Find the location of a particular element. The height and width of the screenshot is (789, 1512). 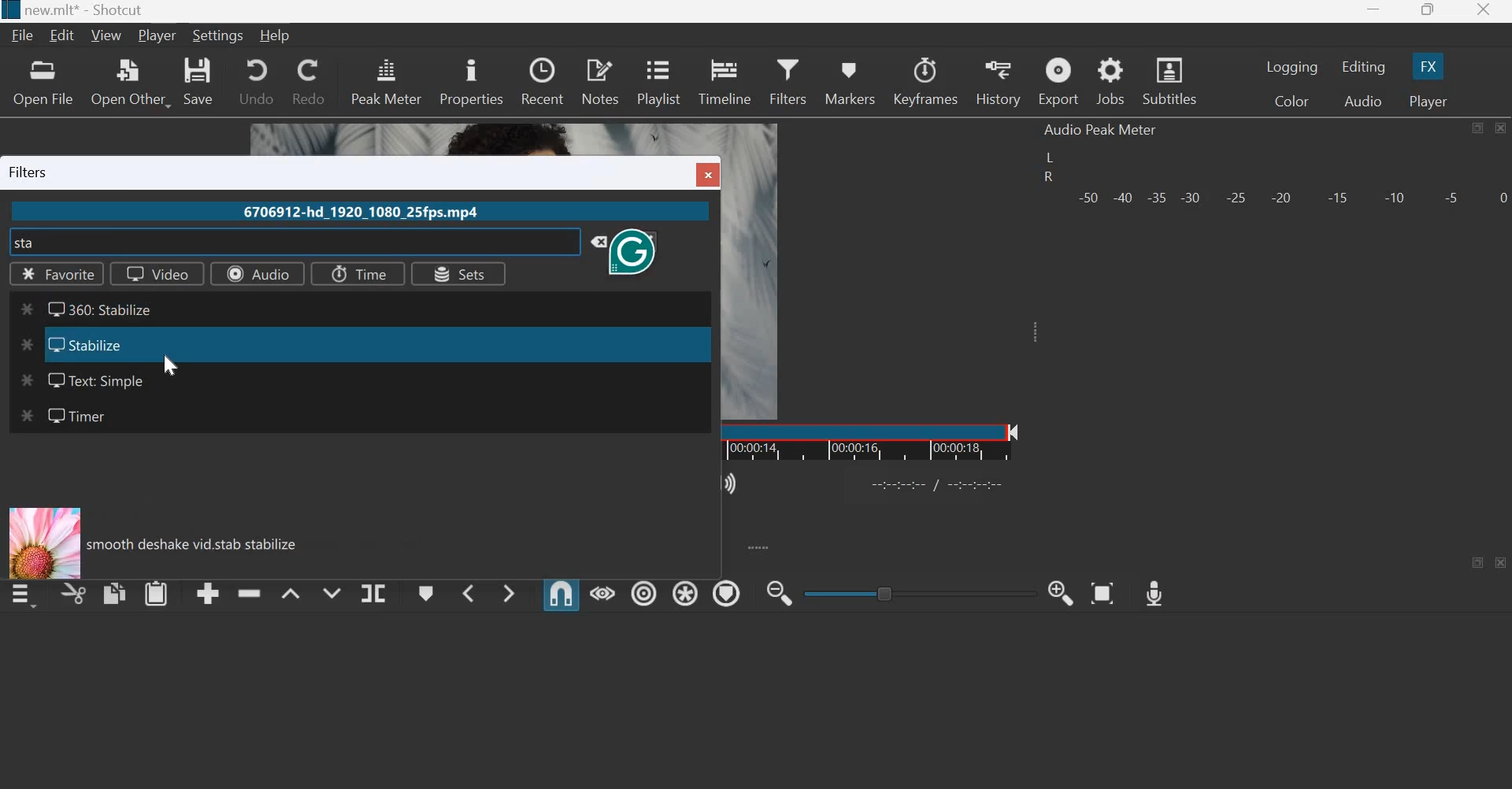

Filters is located at coordinates (791, 80).